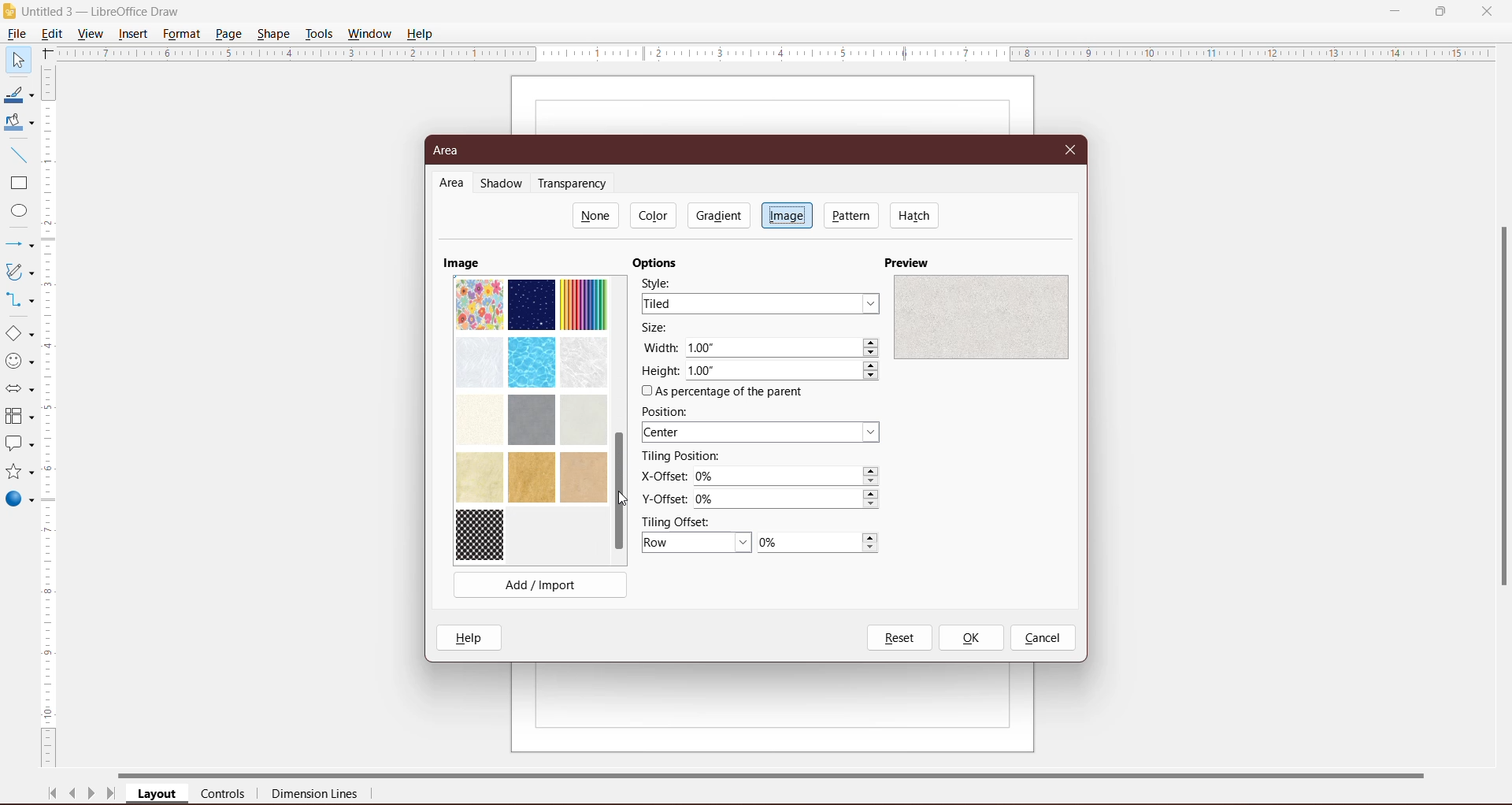  What do you see at coordinates (422, 33) in the screenshot?
I see `Help` at bounding box center [422, 33].